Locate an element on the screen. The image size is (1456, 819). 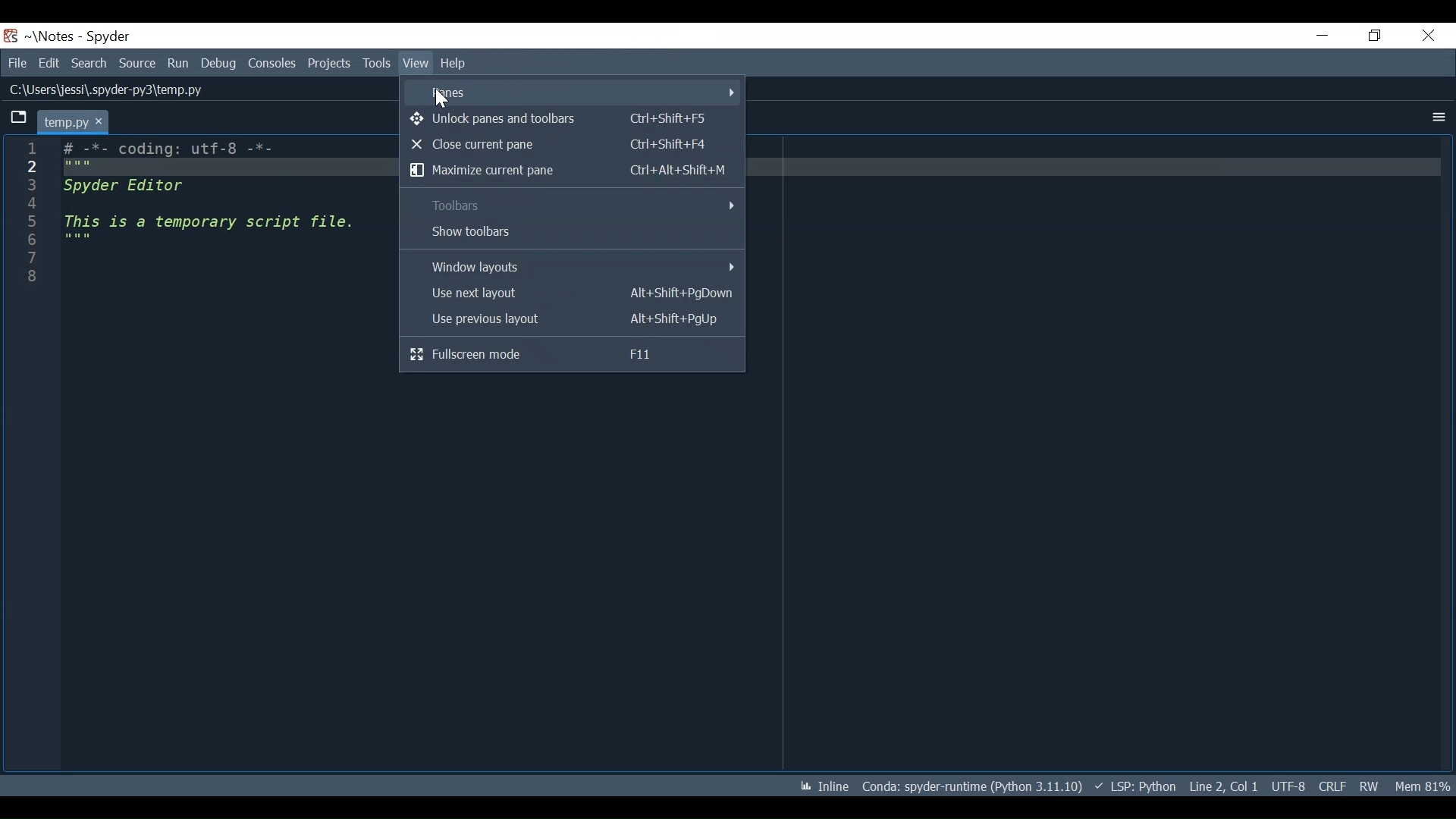
Show toolbars is located at coordinates (573, 234).